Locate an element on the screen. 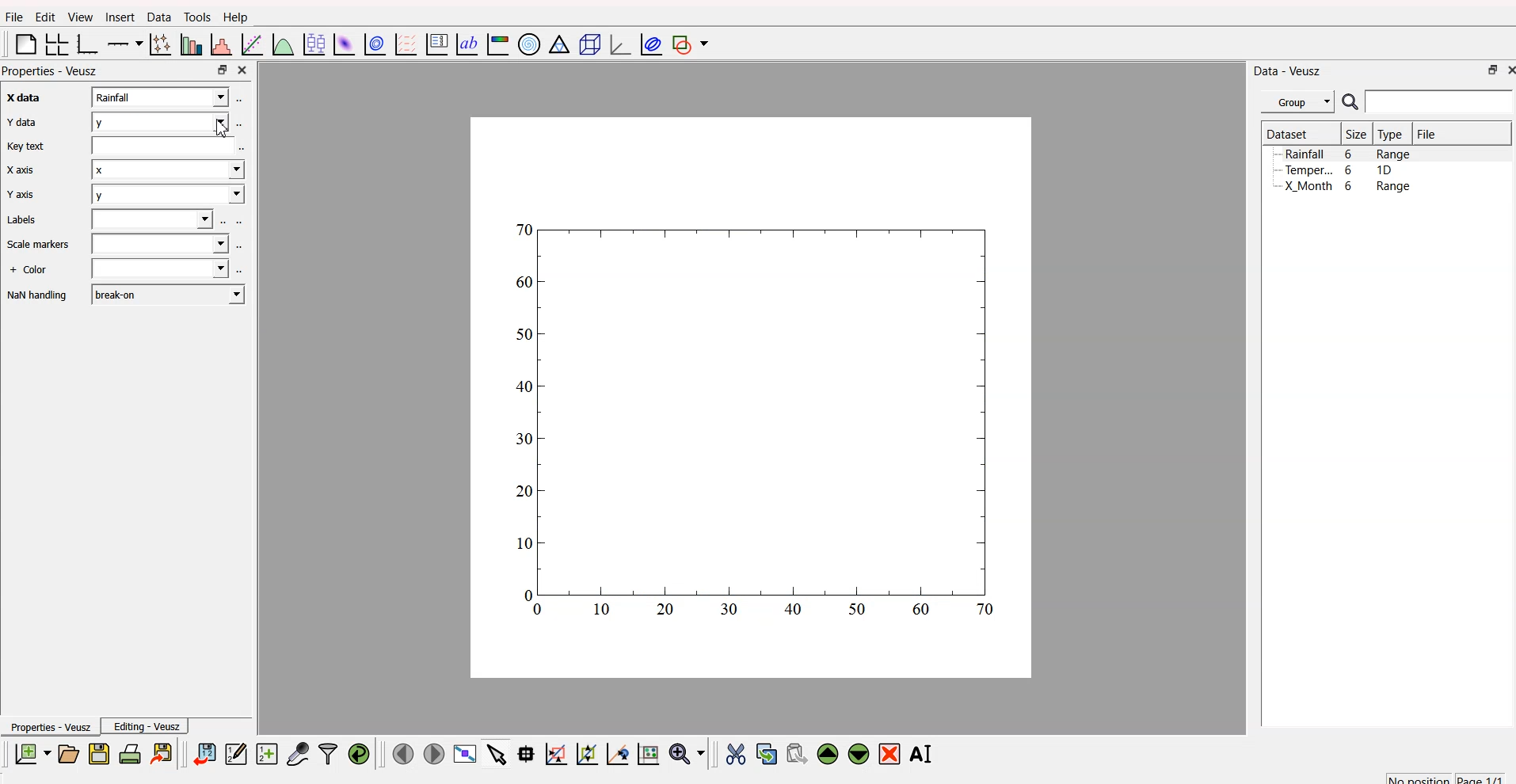 The image size is (1516, 784). filter data is located at coordinates (328, 752).